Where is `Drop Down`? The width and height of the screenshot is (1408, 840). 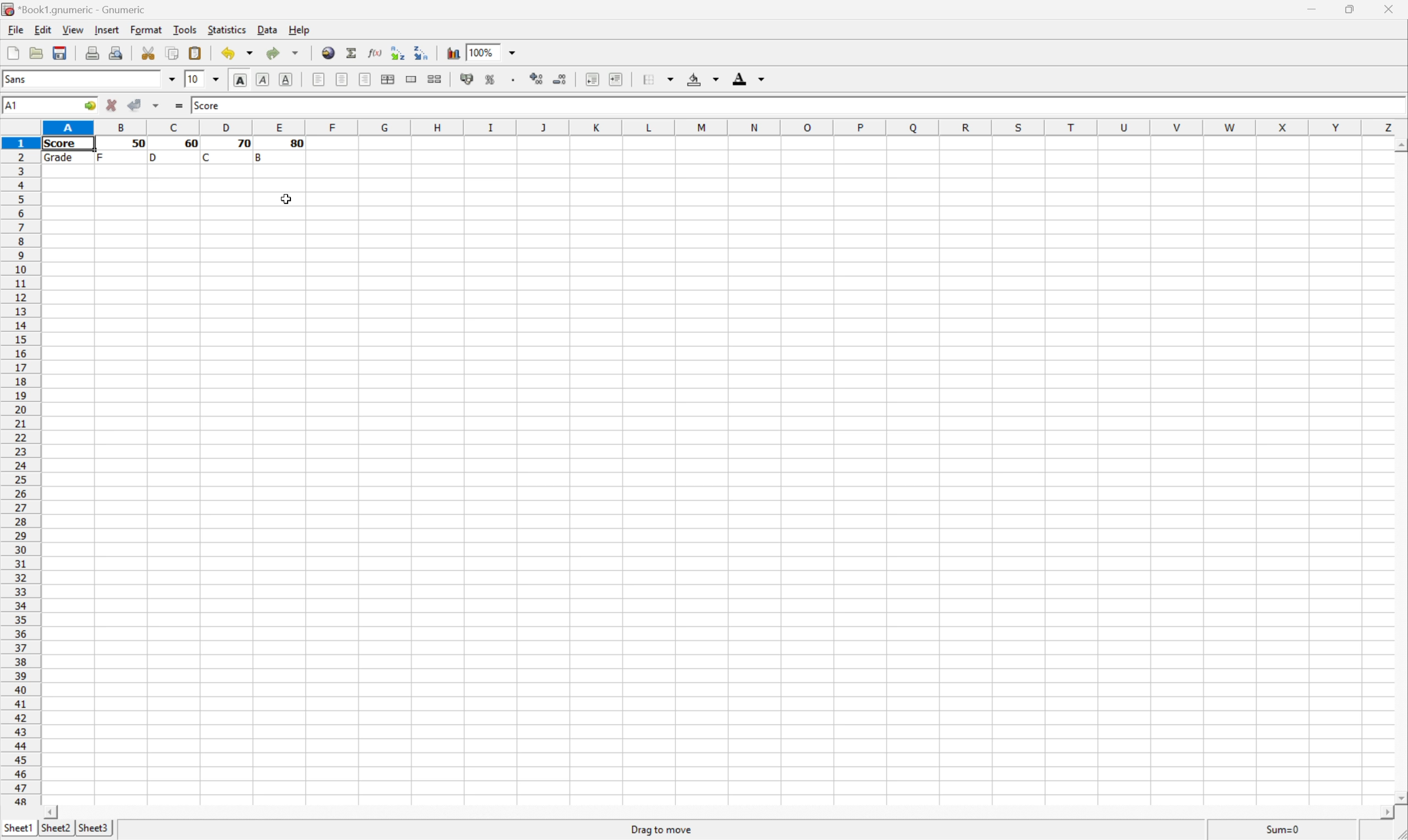 Drop Down is located at coordinates (169, 79).